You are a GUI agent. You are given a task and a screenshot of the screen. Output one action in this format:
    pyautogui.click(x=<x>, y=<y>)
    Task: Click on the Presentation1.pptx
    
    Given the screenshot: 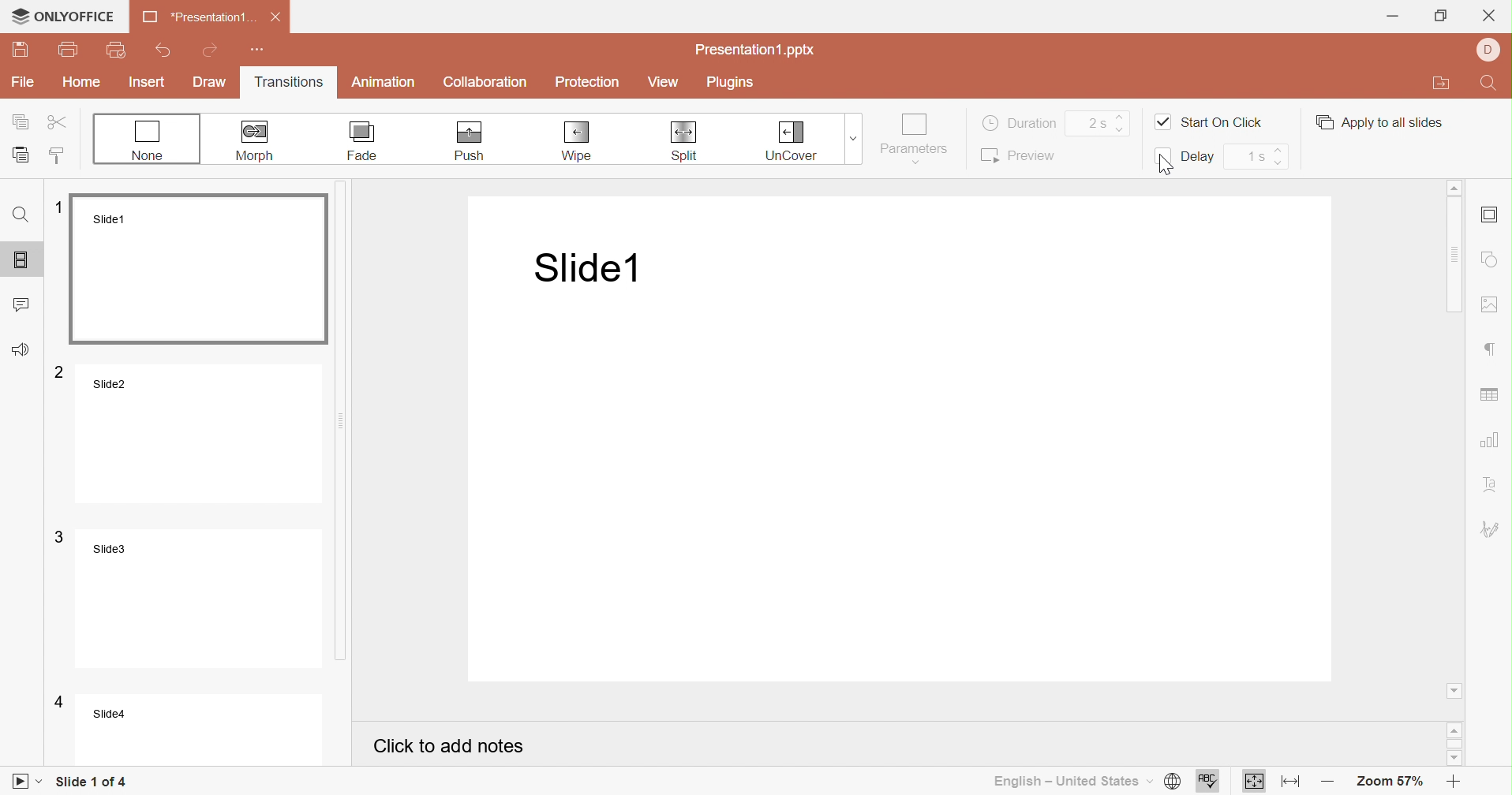 What is the action you would take?
    pyautogui.click(x=757, y=51)
    